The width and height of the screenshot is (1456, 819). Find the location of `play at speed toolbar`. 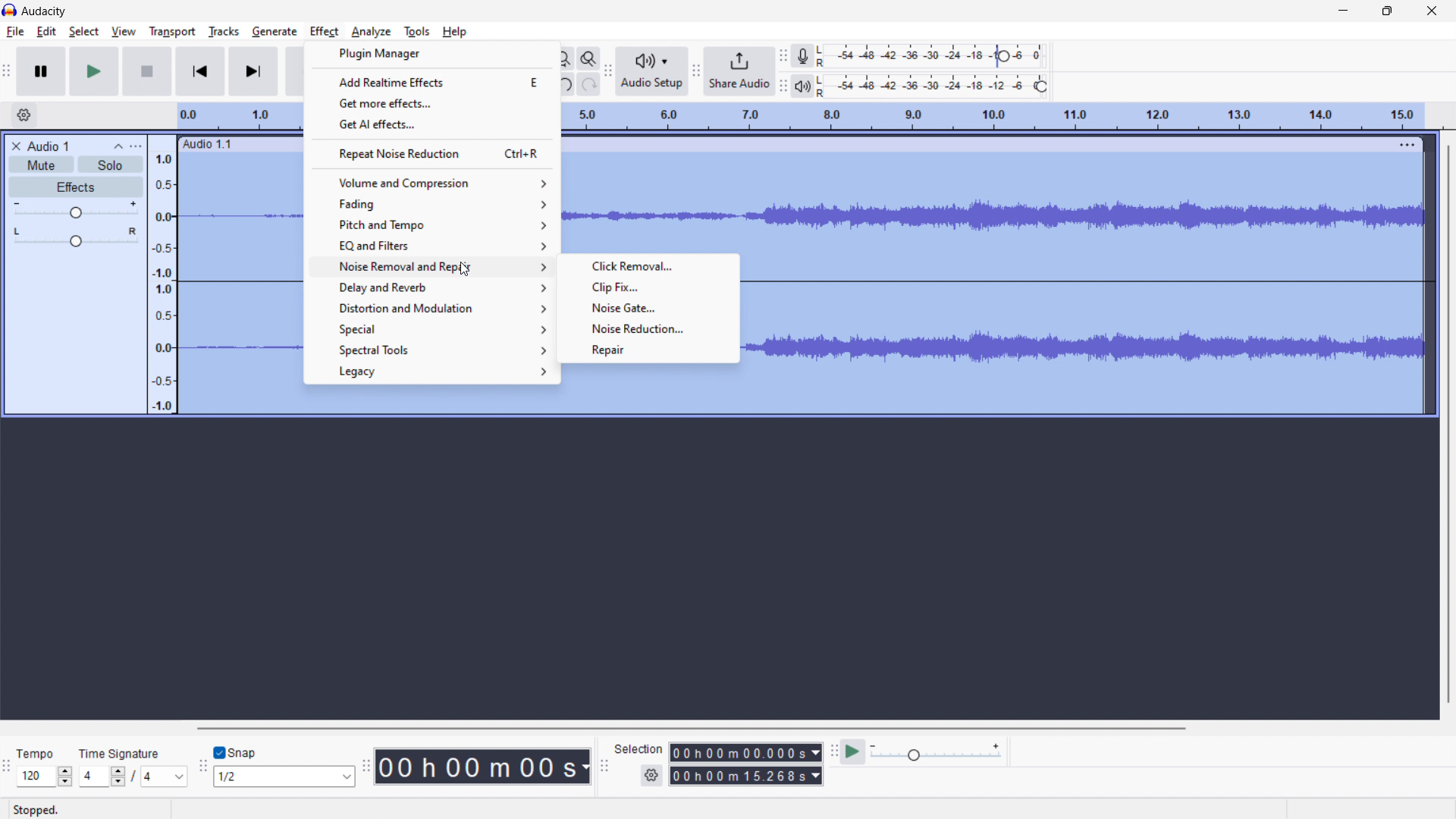

play at speed toolbar is located at coordinates (833, 751).